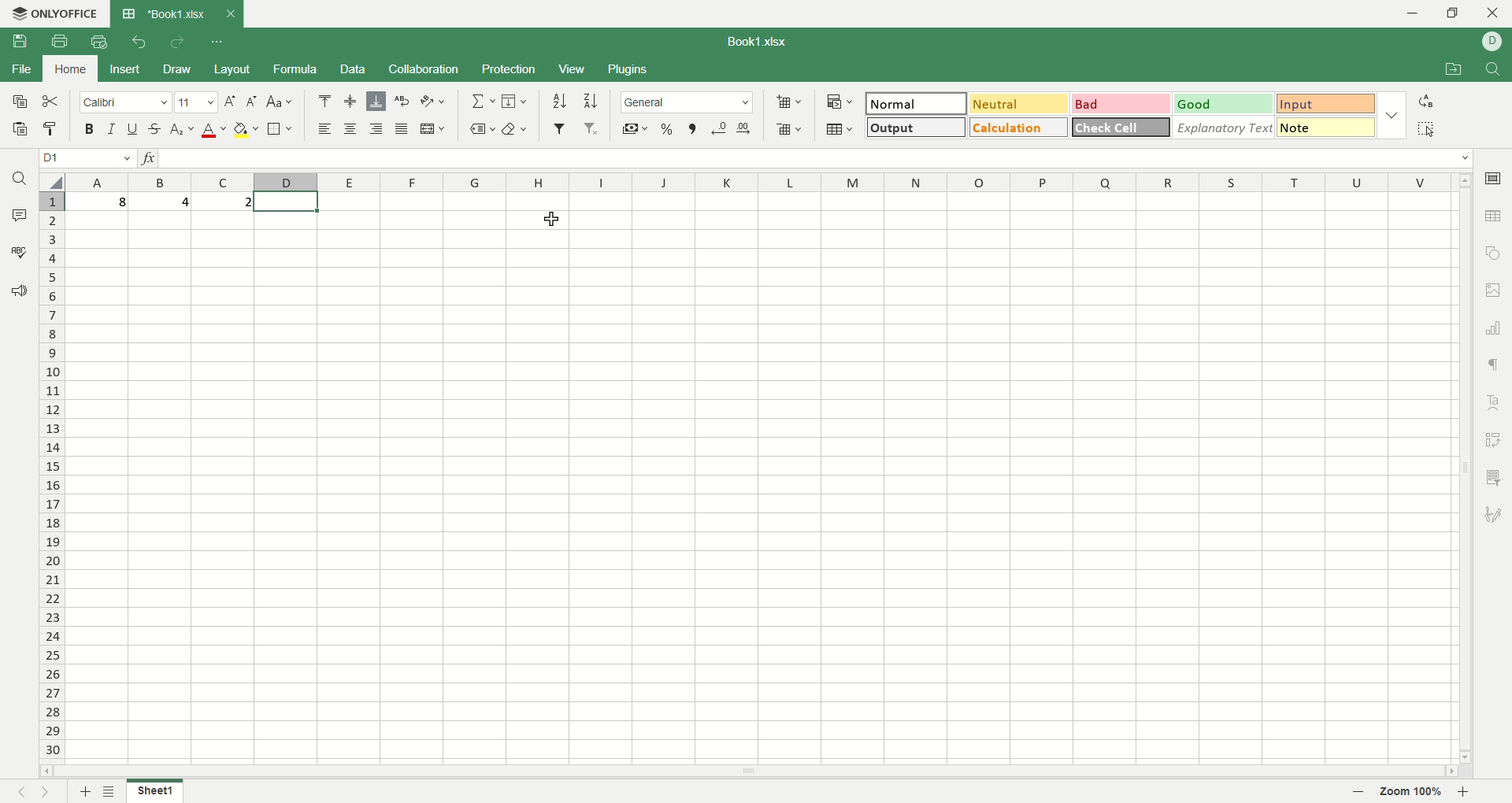  What do you see at coordinates (1497, 366) in the screenshot?
I see `paragraph settings` at bounding box center [1497, 366].